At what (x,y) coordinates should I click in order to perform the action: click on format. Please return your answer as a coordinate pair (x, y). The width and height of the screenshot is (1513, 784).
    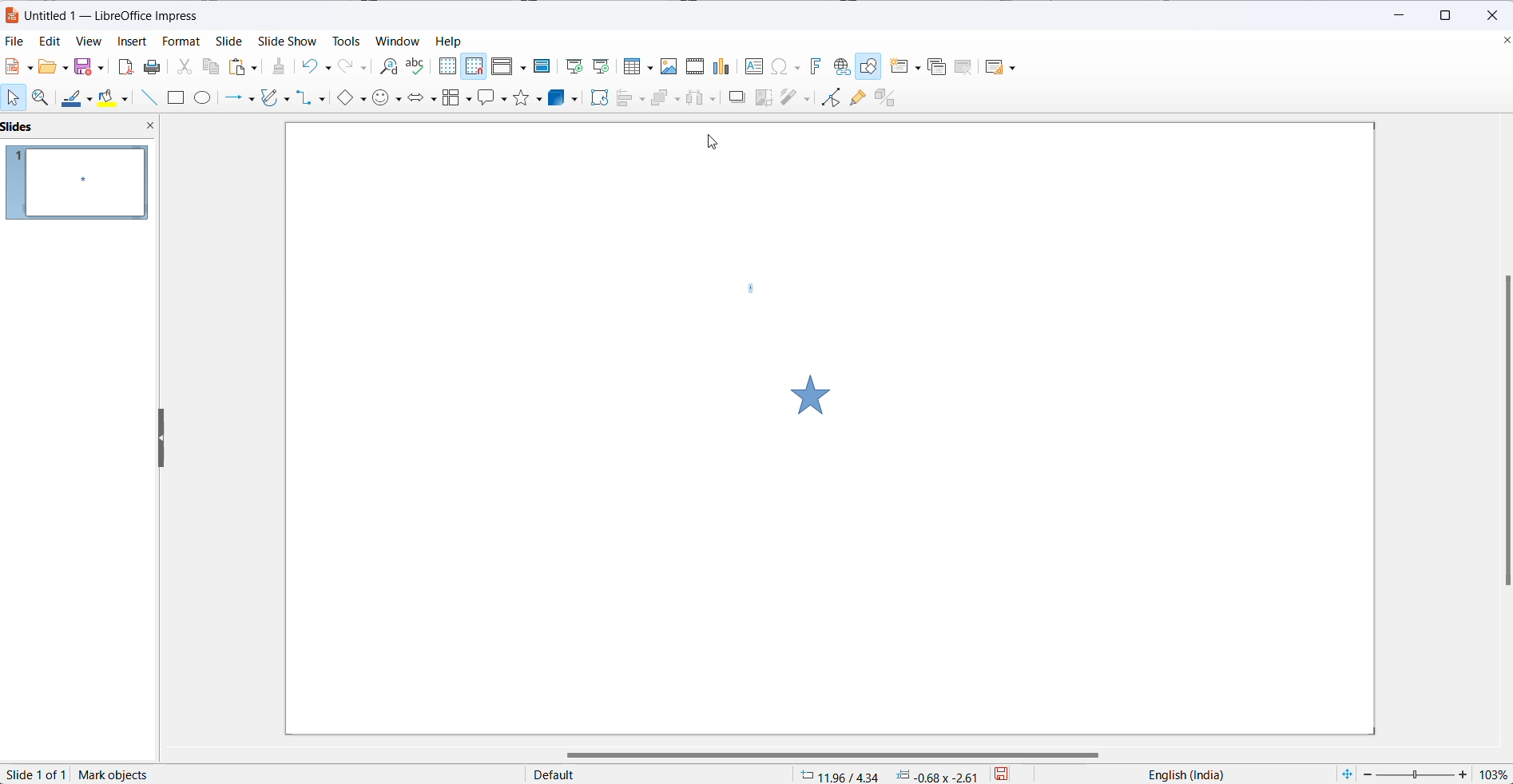
    Looking at the image, I should click on (182, 41).